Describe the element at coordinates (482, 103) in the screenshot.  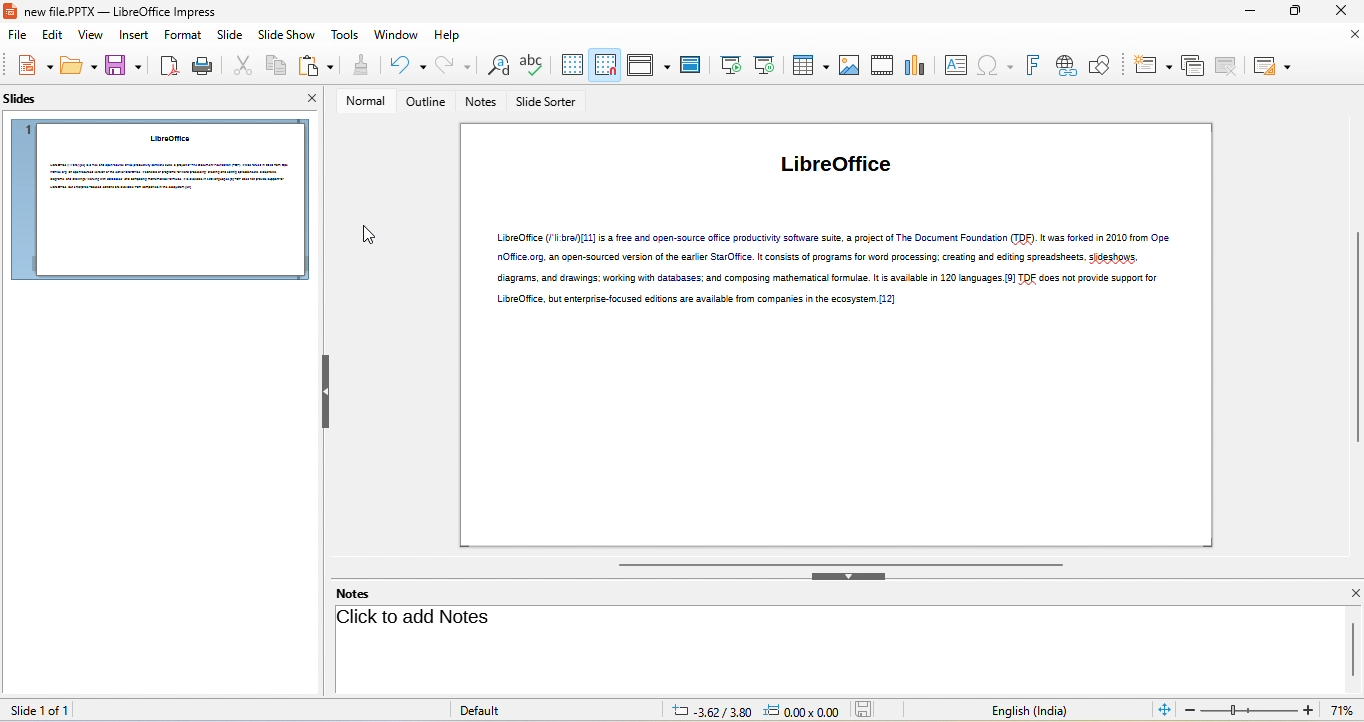
I see `notes` at that location.